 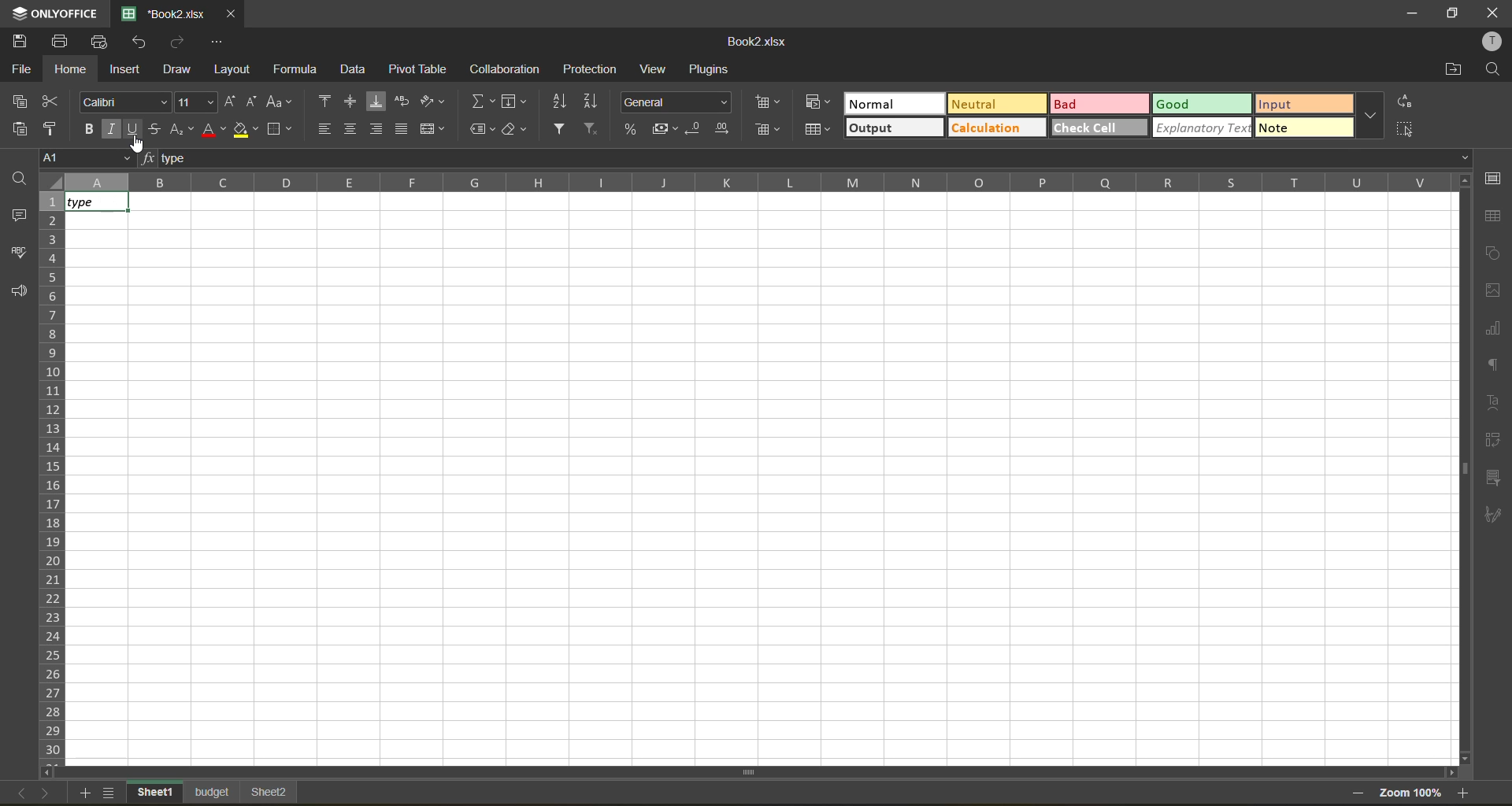 I want to click on wrap text, so click(x=406, y=104).